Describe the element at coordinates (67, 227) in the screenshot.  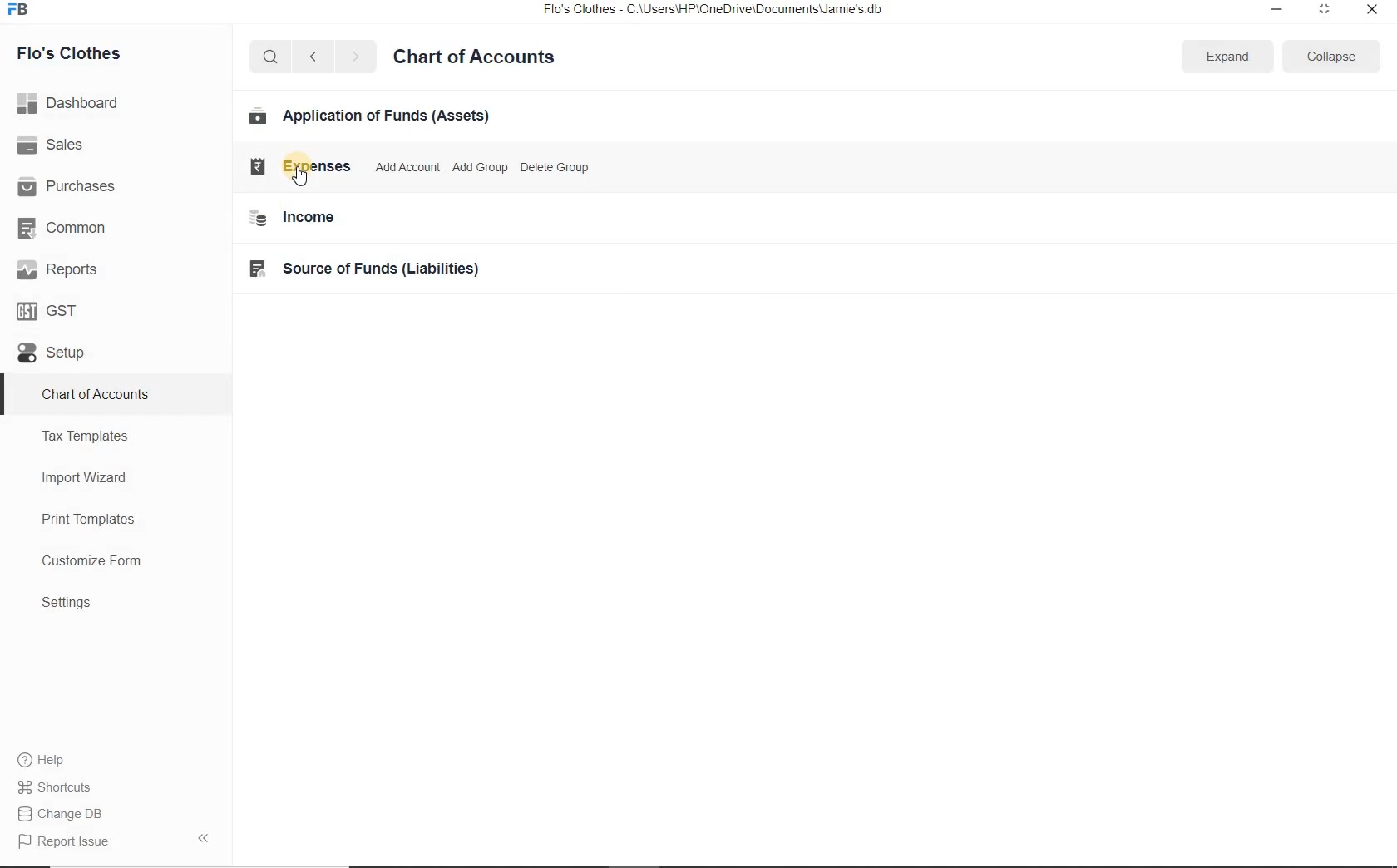
I see `Common` at that location.